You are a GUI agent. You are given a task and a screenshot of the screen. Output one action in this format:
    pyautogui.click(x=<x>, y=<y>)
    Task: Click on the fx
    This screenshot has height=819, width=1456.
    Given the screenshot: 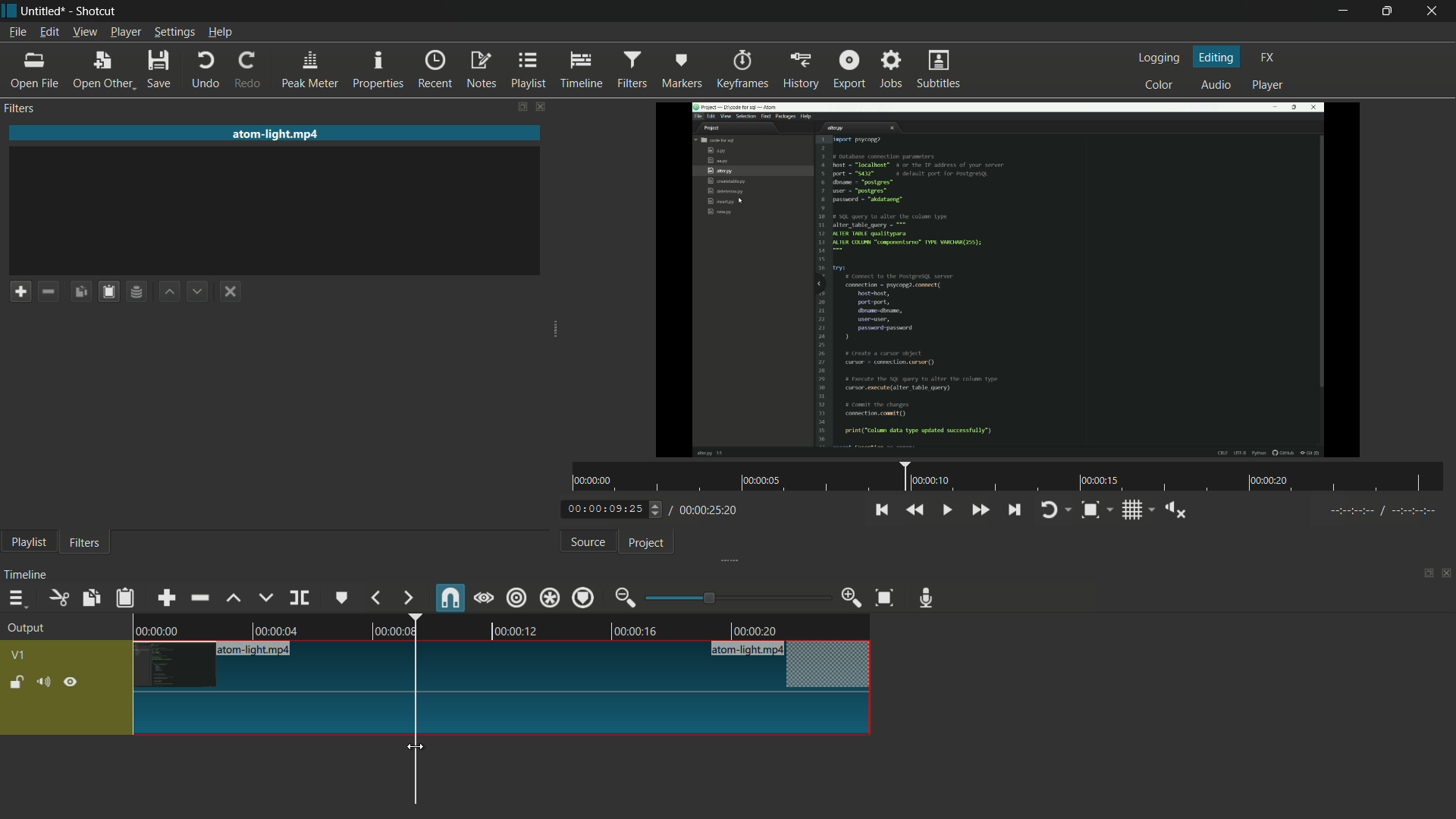 What is the action you would take?
    pyautogui.click(x=1267, y=58)
    